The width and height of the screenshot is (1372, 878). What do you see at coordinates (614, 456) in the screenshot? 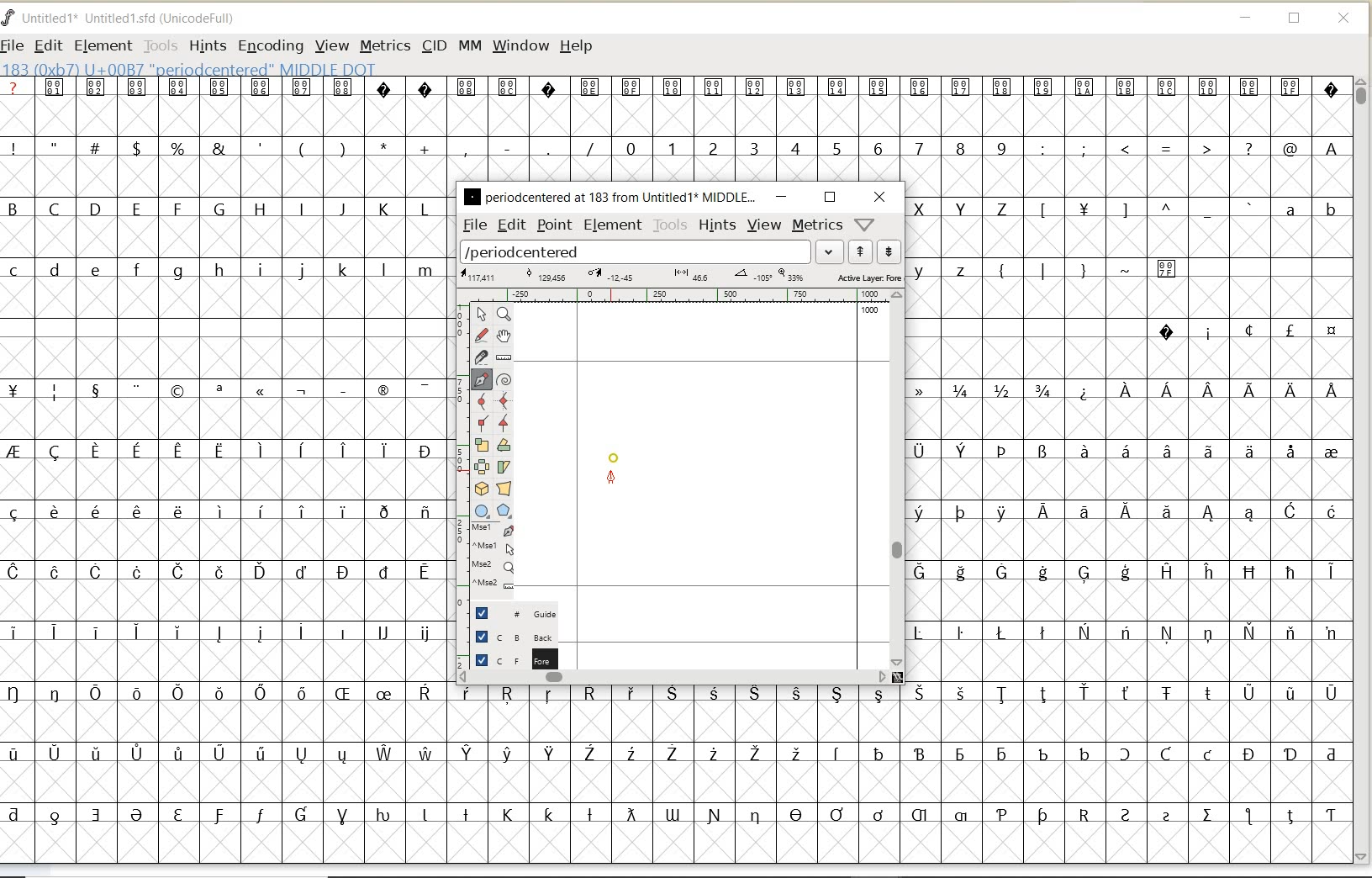
I see `dot` at bounding box center [614, 456].